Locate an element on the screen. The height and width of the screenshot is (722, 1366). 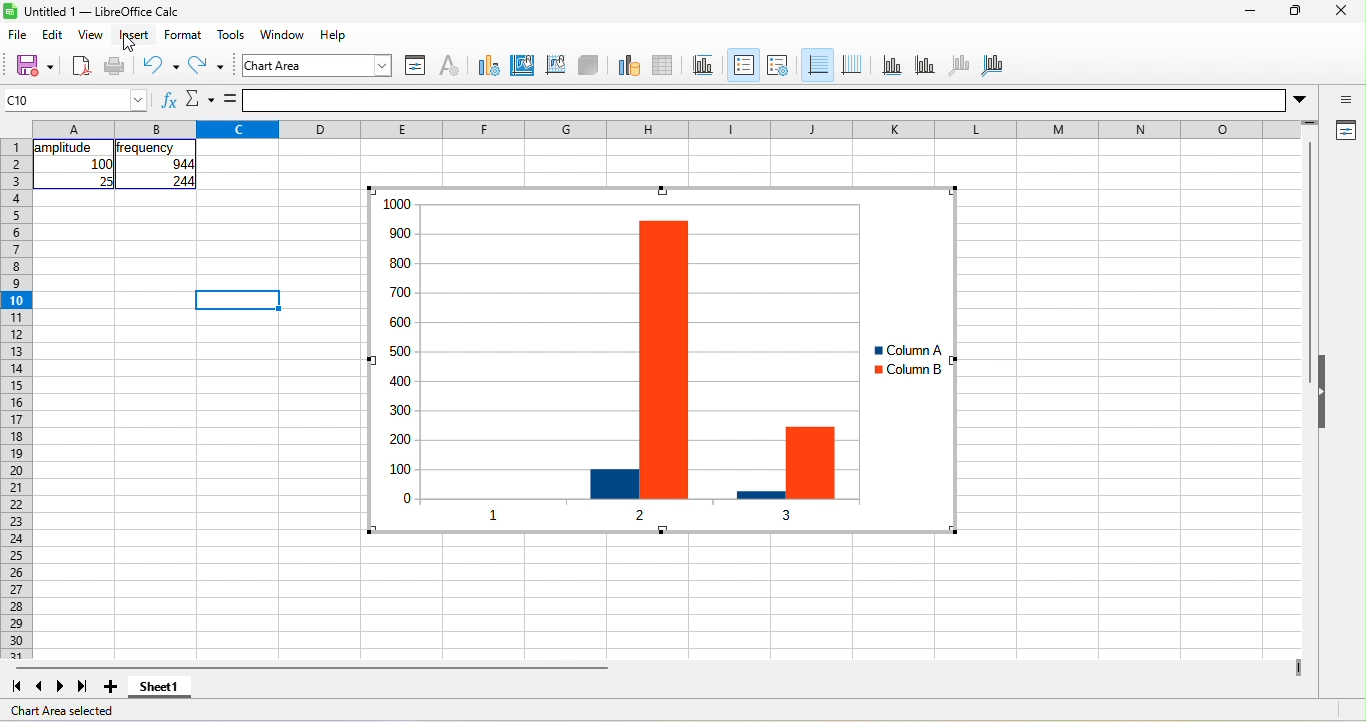
legend on/off is located at coordinates (741, 65).